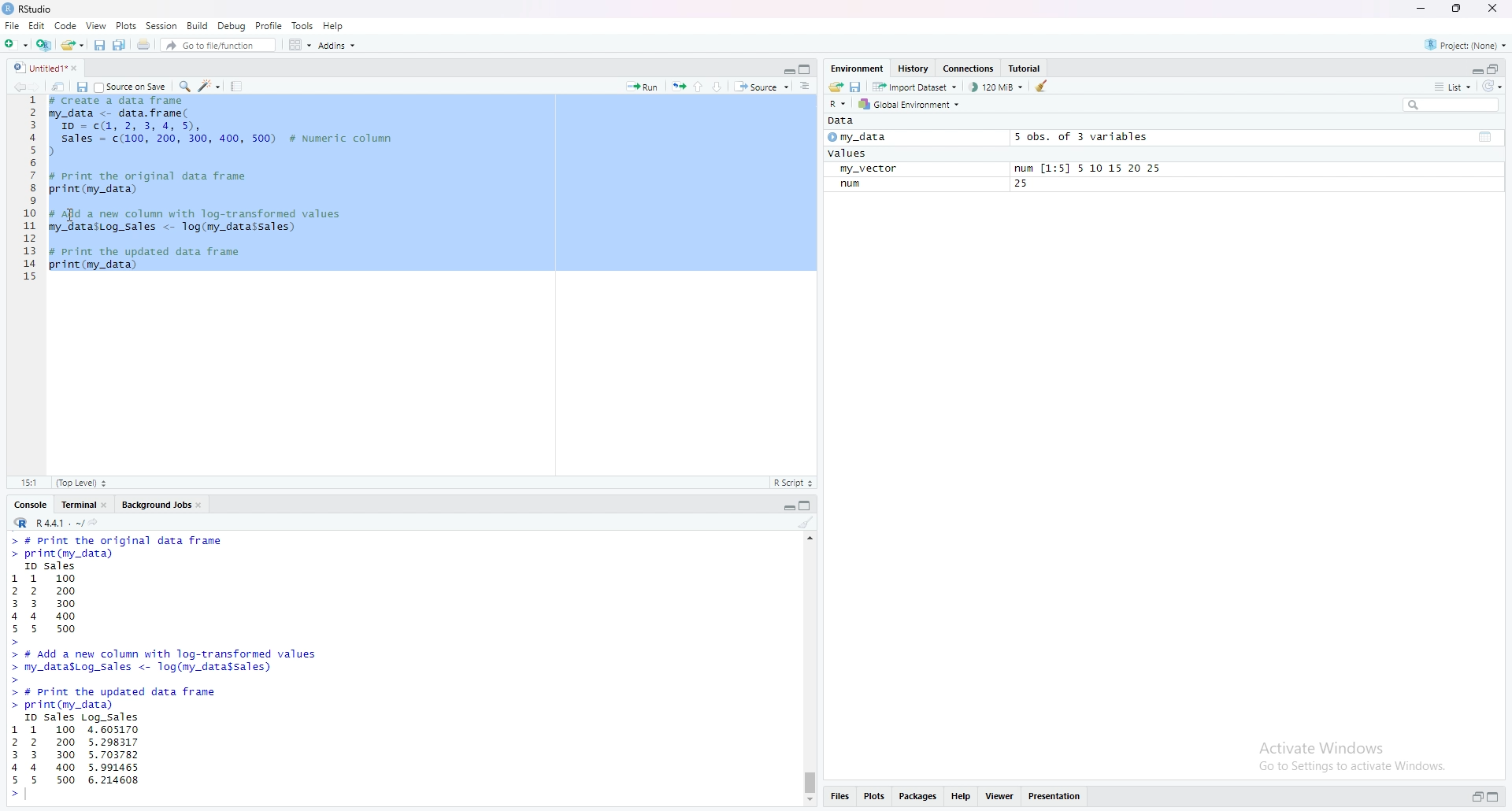 The width and height of the screenshot is (1512, 811). I want to click on environment, so click(857, 66).